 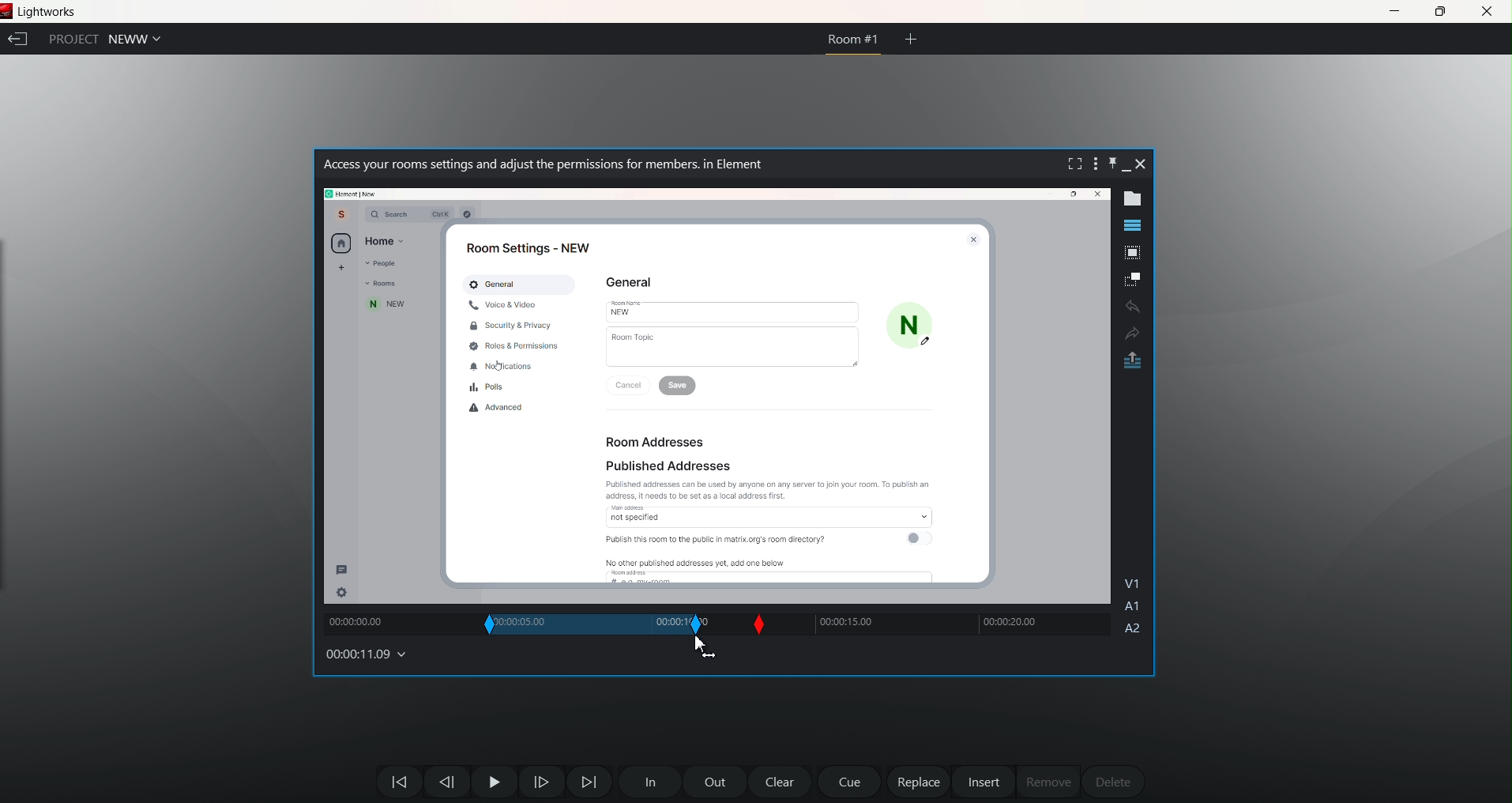 I want to click on move backwards, so click(x=392, y=778).